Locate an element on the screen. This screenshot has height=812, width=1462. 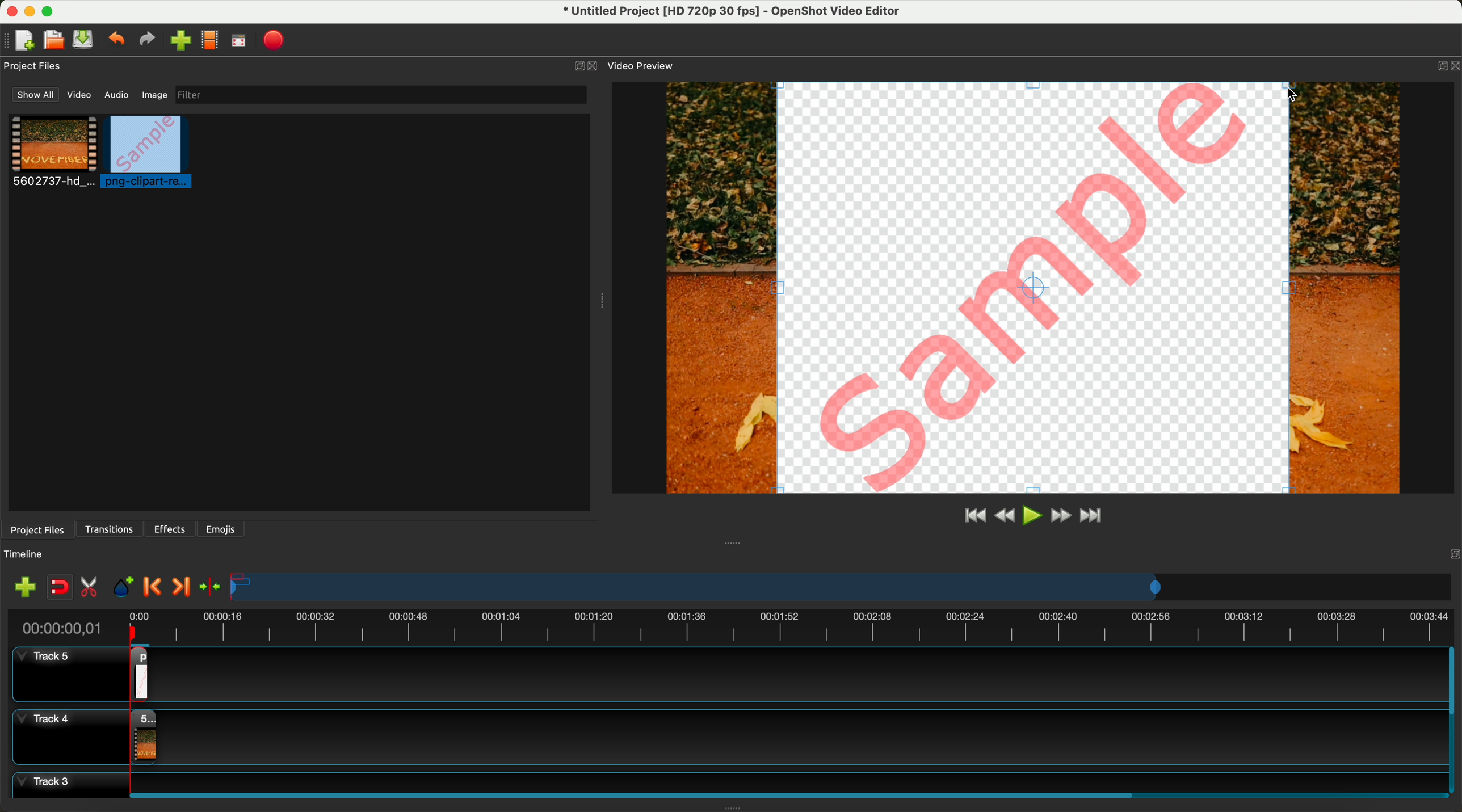
project files is located at coordinates (34, 66).